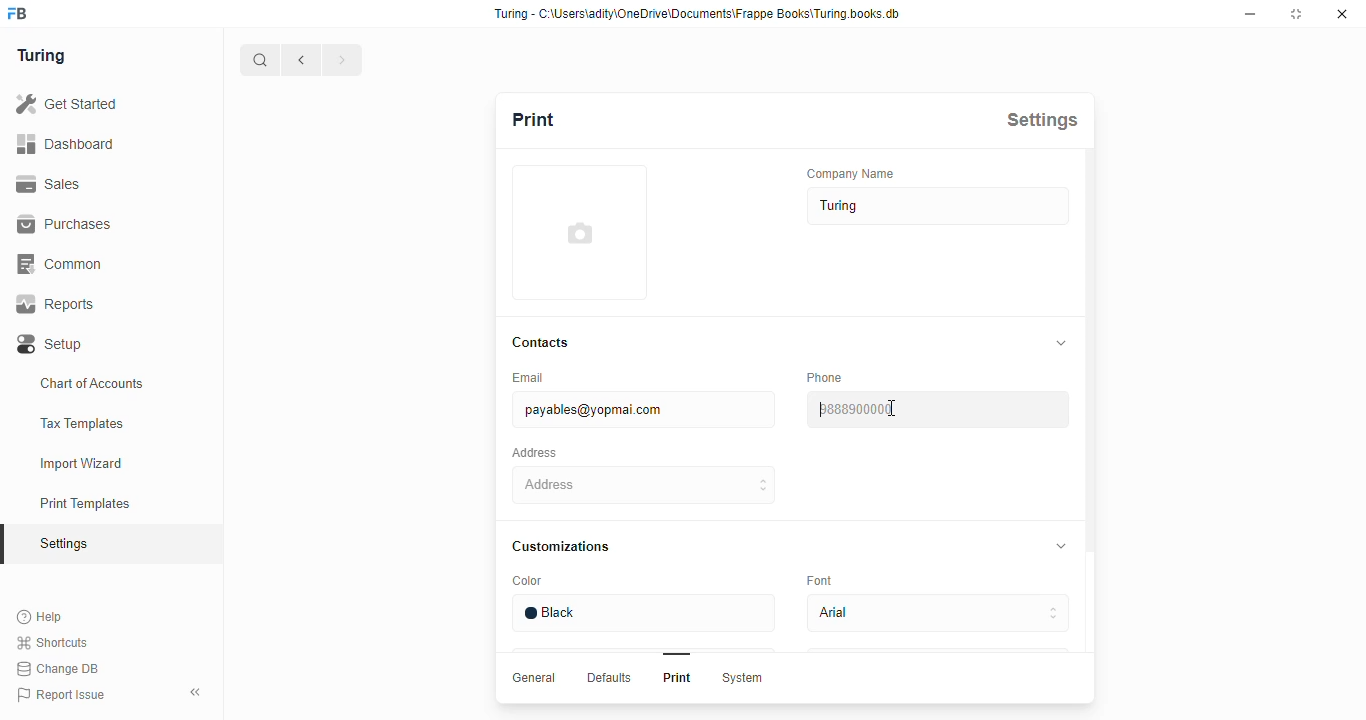 This screenshot has width=1366, height=720. I want to click on add profile image, so click(585, 236).